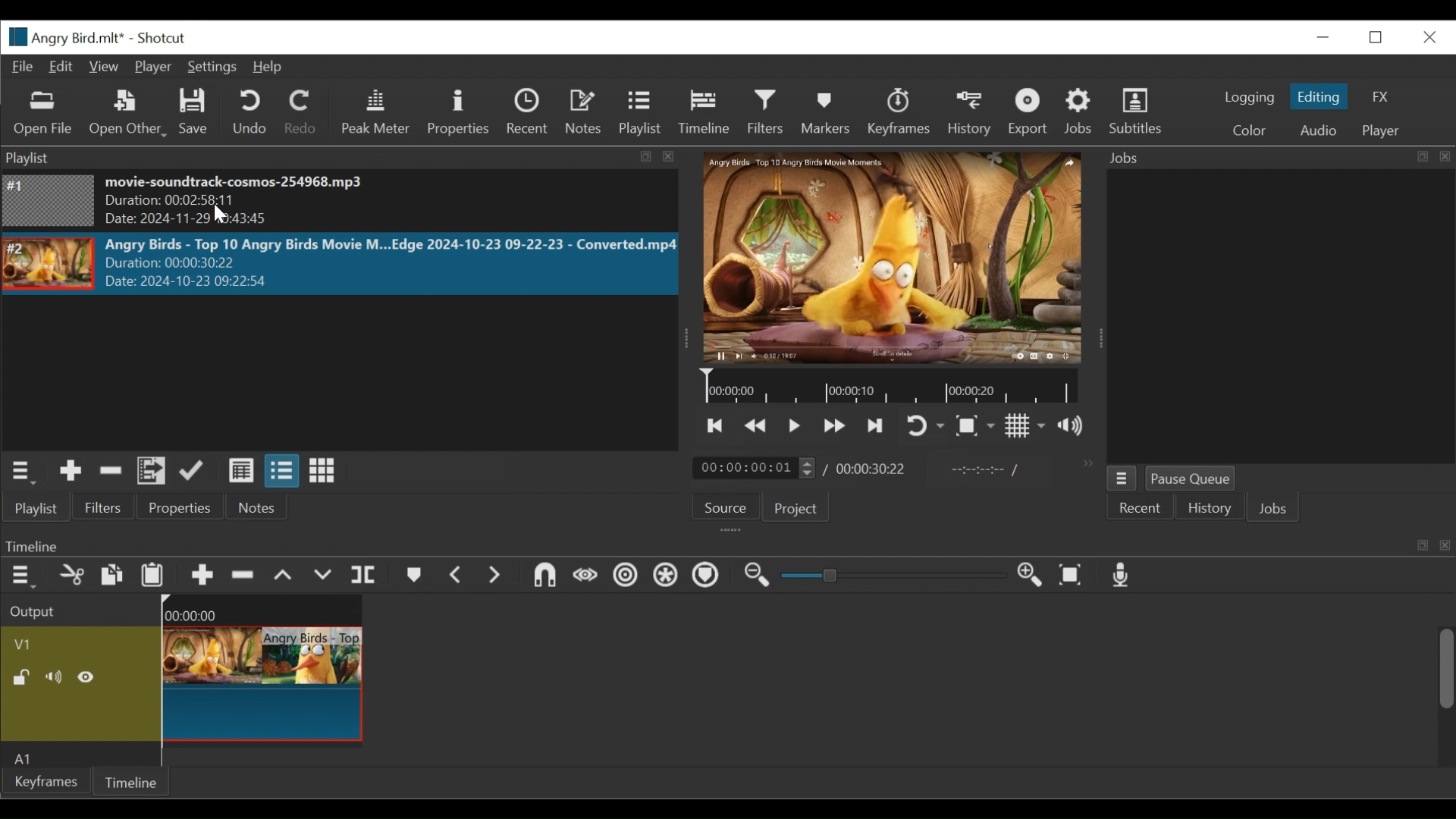  What do you see at coordinates (1026, 427) in the screenshot?
I see `Toggle display grid on the player` at bounding box center [1026, 427].